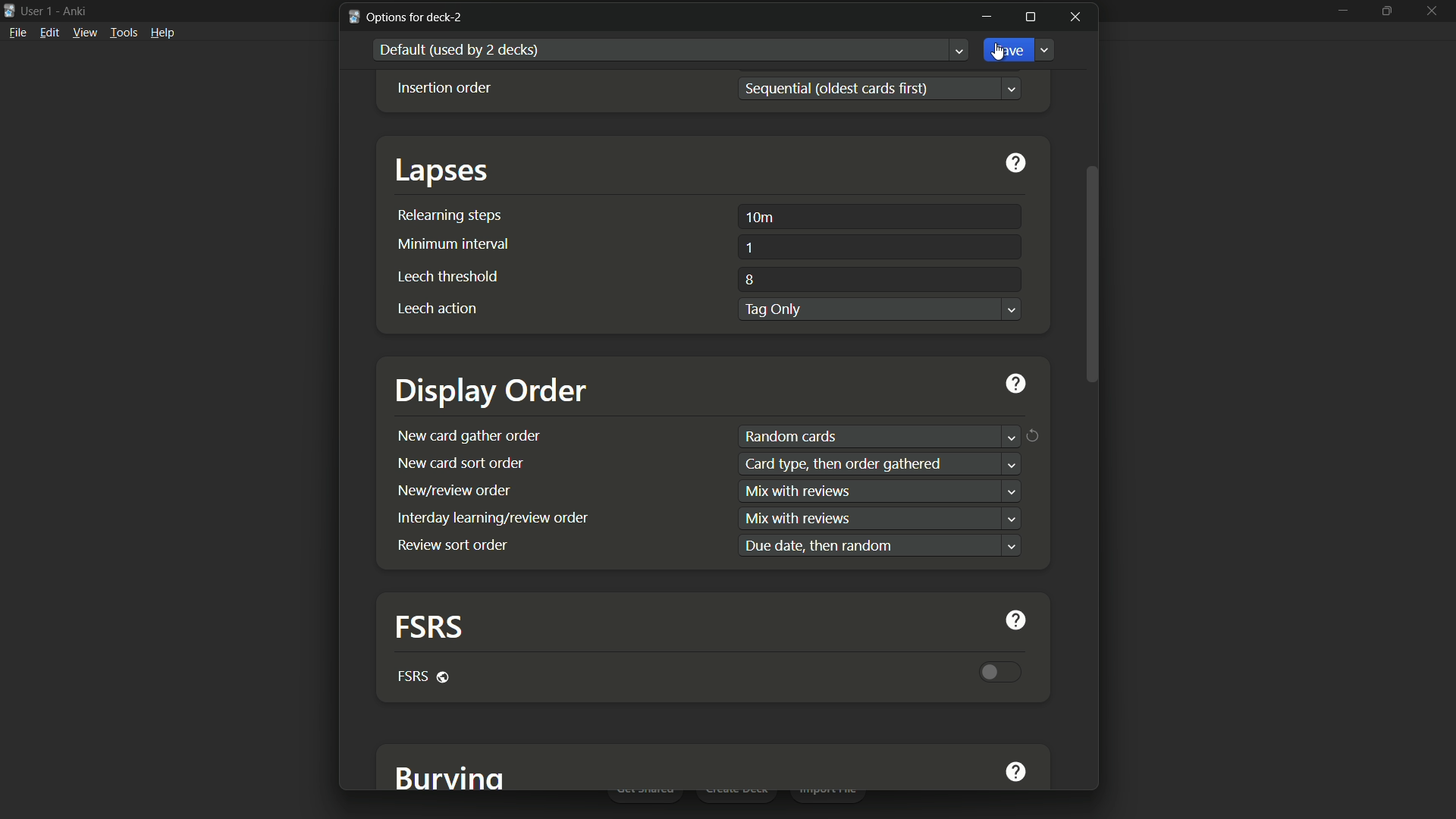 The width and height of the screenshot is (1456, 819). What do you see at coordinates (845, 465) in the screenshot?
I see `text` at bounding box center [845, 465].